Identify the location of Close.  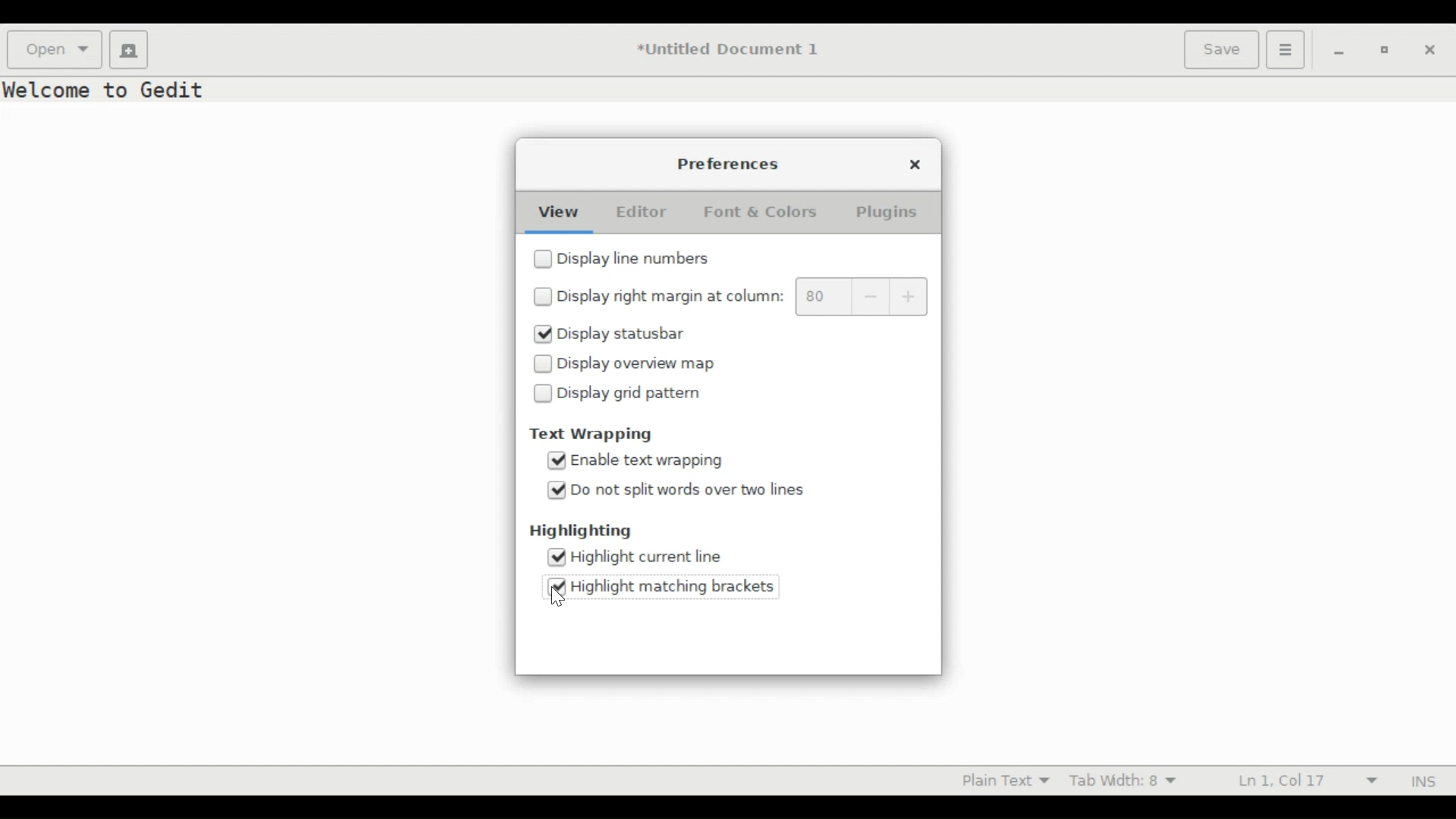
(1431, 50).